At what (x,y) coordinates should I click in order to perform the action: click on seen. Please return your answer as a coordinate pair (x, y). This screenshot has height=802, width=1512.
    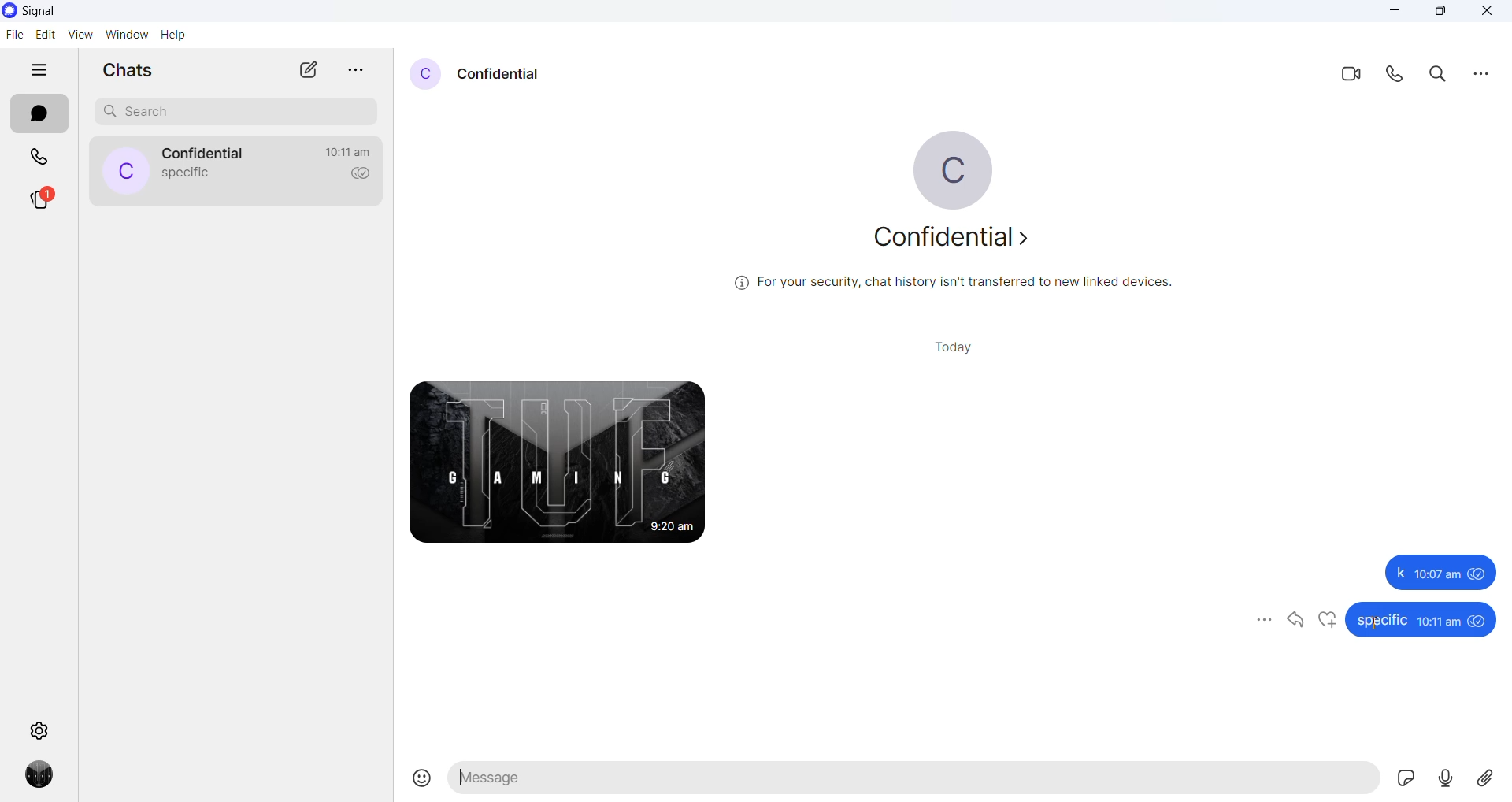
    Looking at the image, I should click on (1479, 574).